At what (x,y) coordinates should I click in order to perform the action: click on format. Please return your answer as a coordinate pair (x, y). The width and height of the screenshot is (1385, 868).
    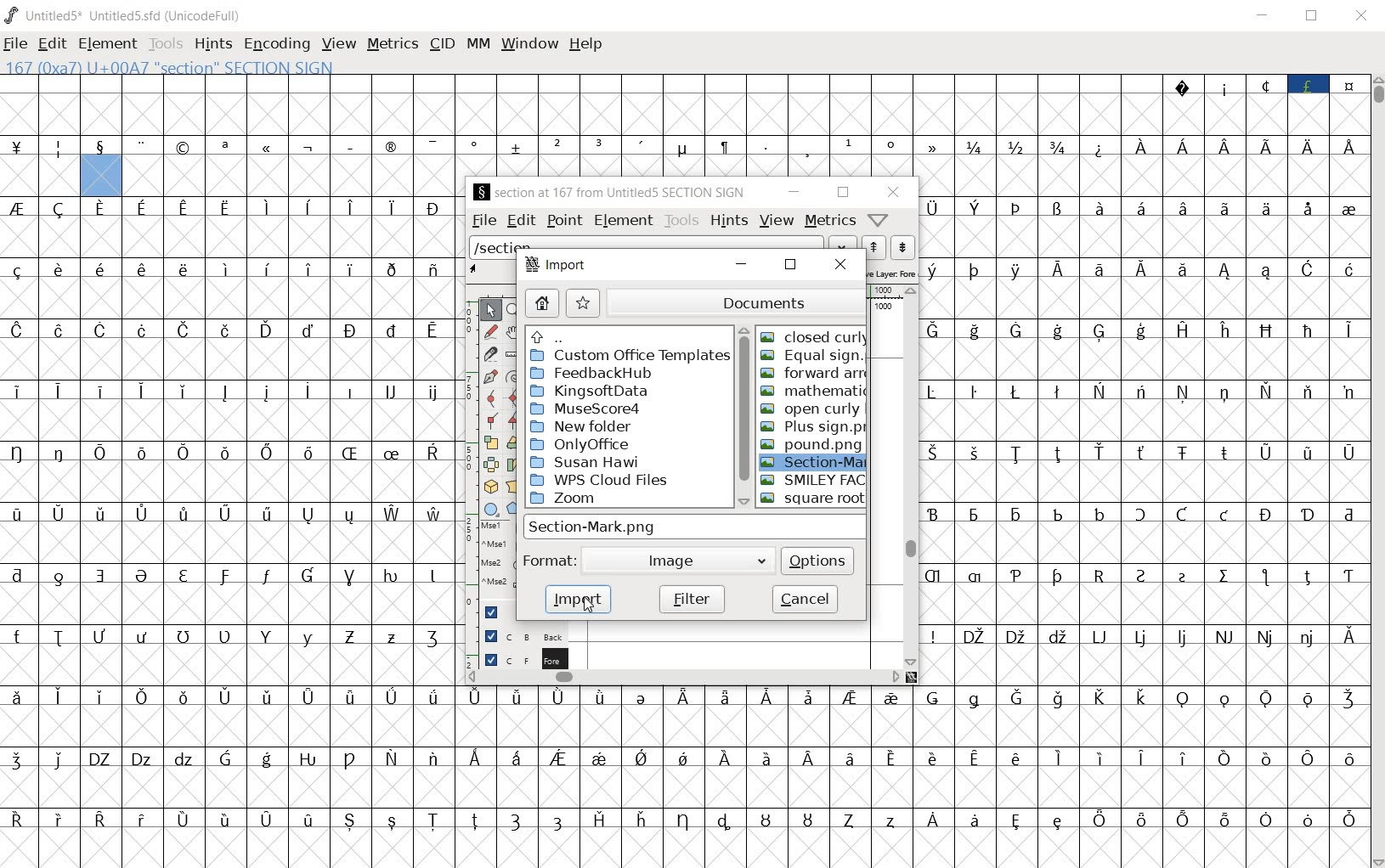
    Looking at the image, I should click on (550, 559).